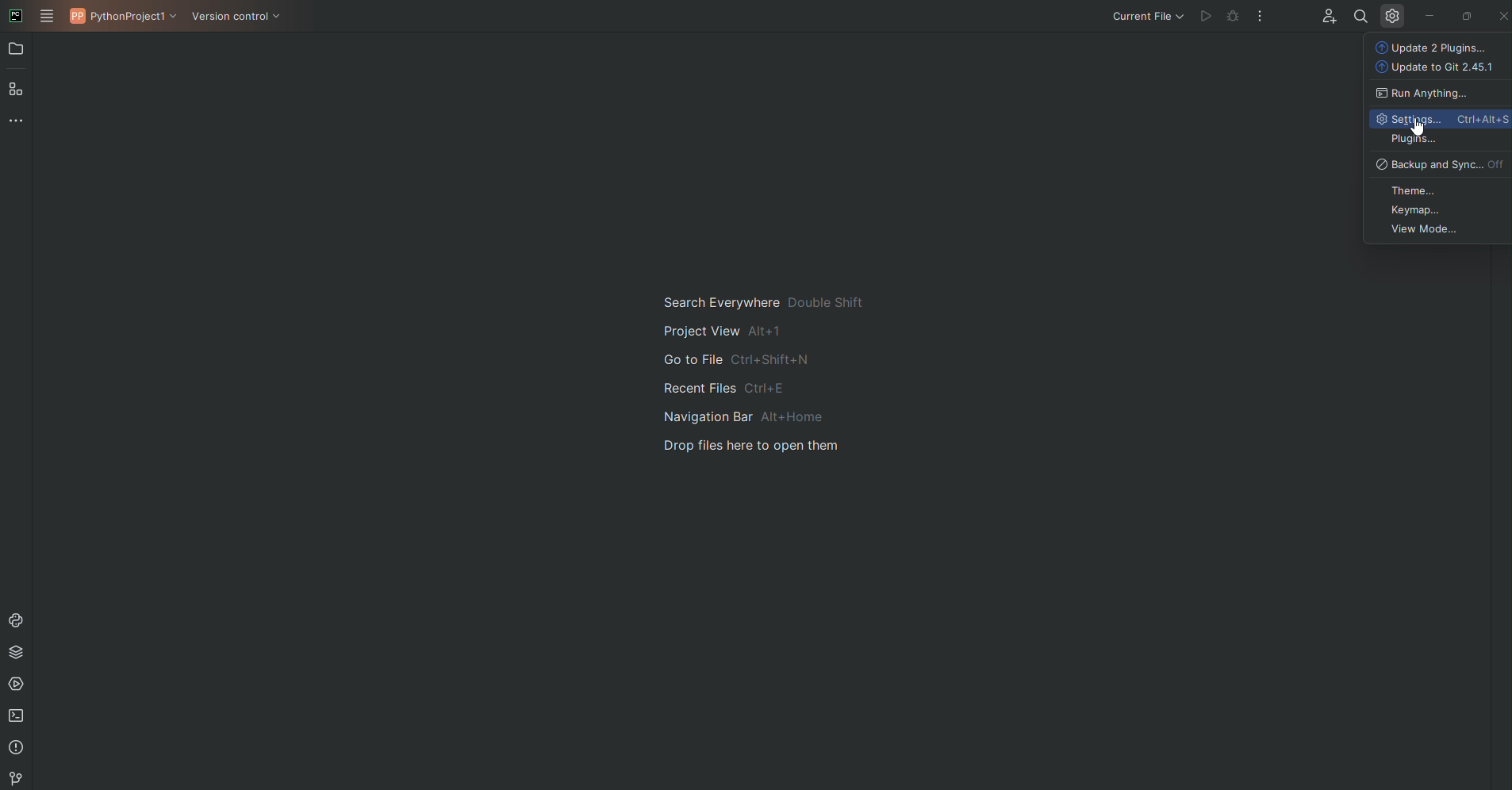  What do you see at coordinates (743, 418) in the screenshot?
I see `navigation bar` at bounding box center [743, 418].